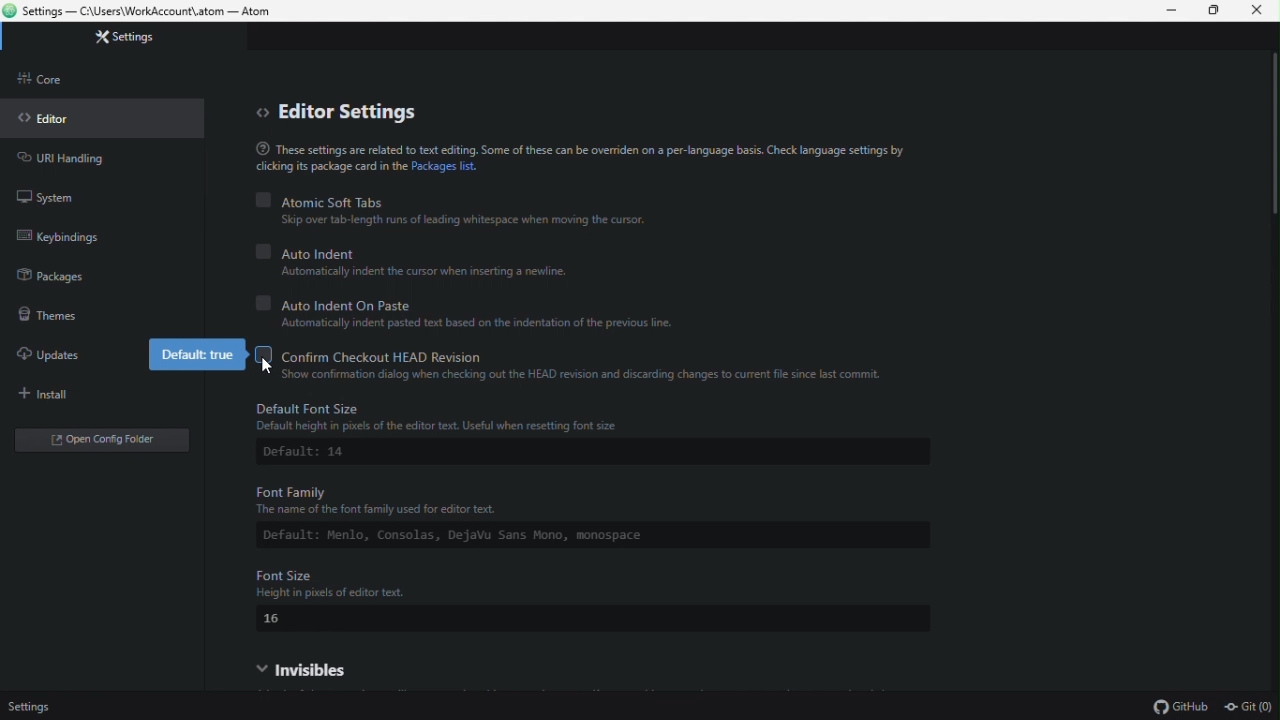  Describe the element at coordinates (147, 38) in the screenshot. I see `Setting` at that location.